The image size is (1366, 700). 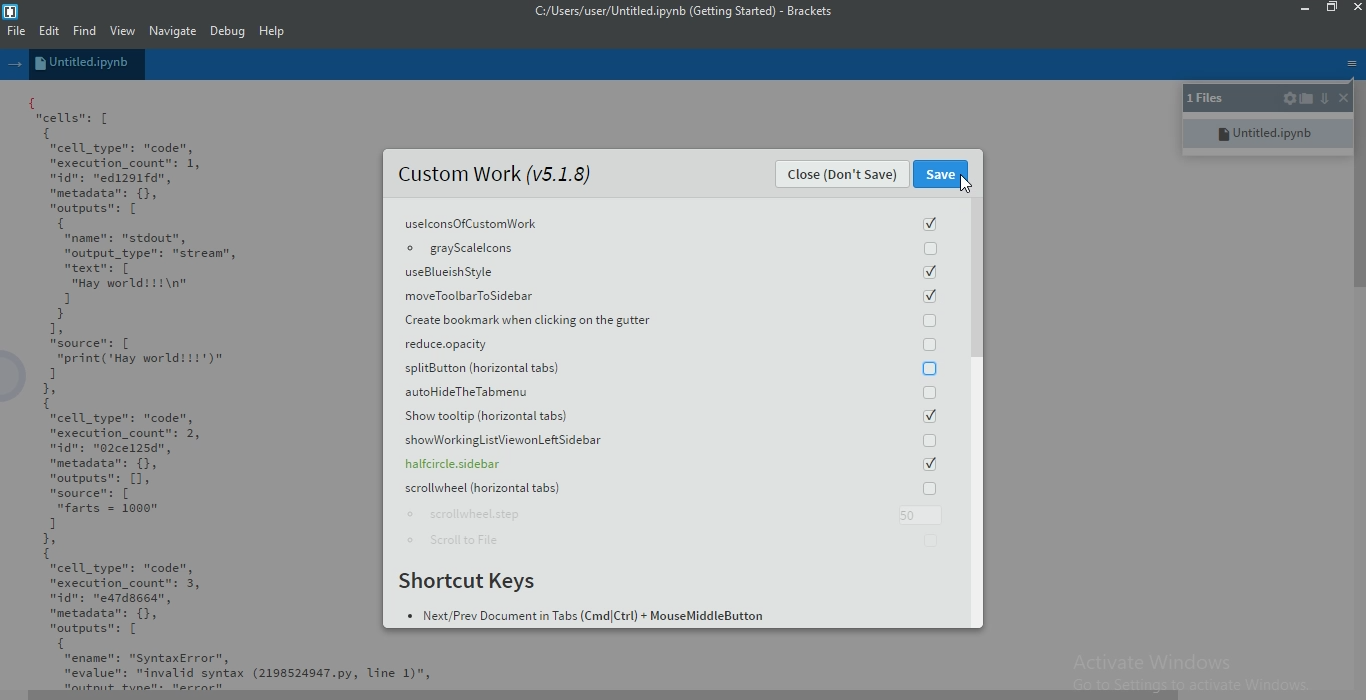 What do you see at coordinates (53, 31) in the screenshot?
I see `Edit` at bounding box center [53, 31].